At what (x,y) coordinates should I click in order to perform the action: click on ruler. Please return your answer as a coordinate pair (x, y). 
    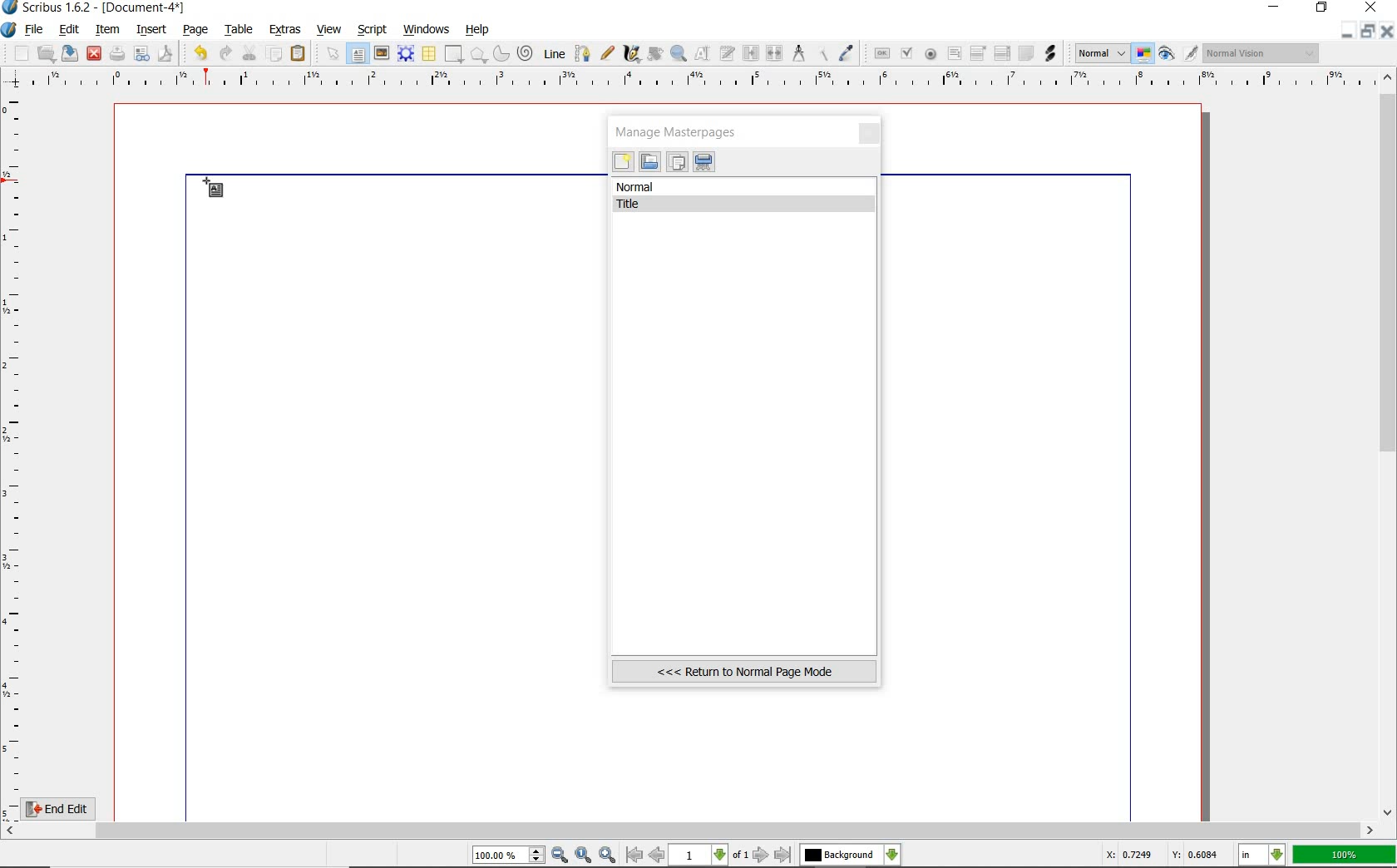
    Looking at the image, I should click on (699, 81).